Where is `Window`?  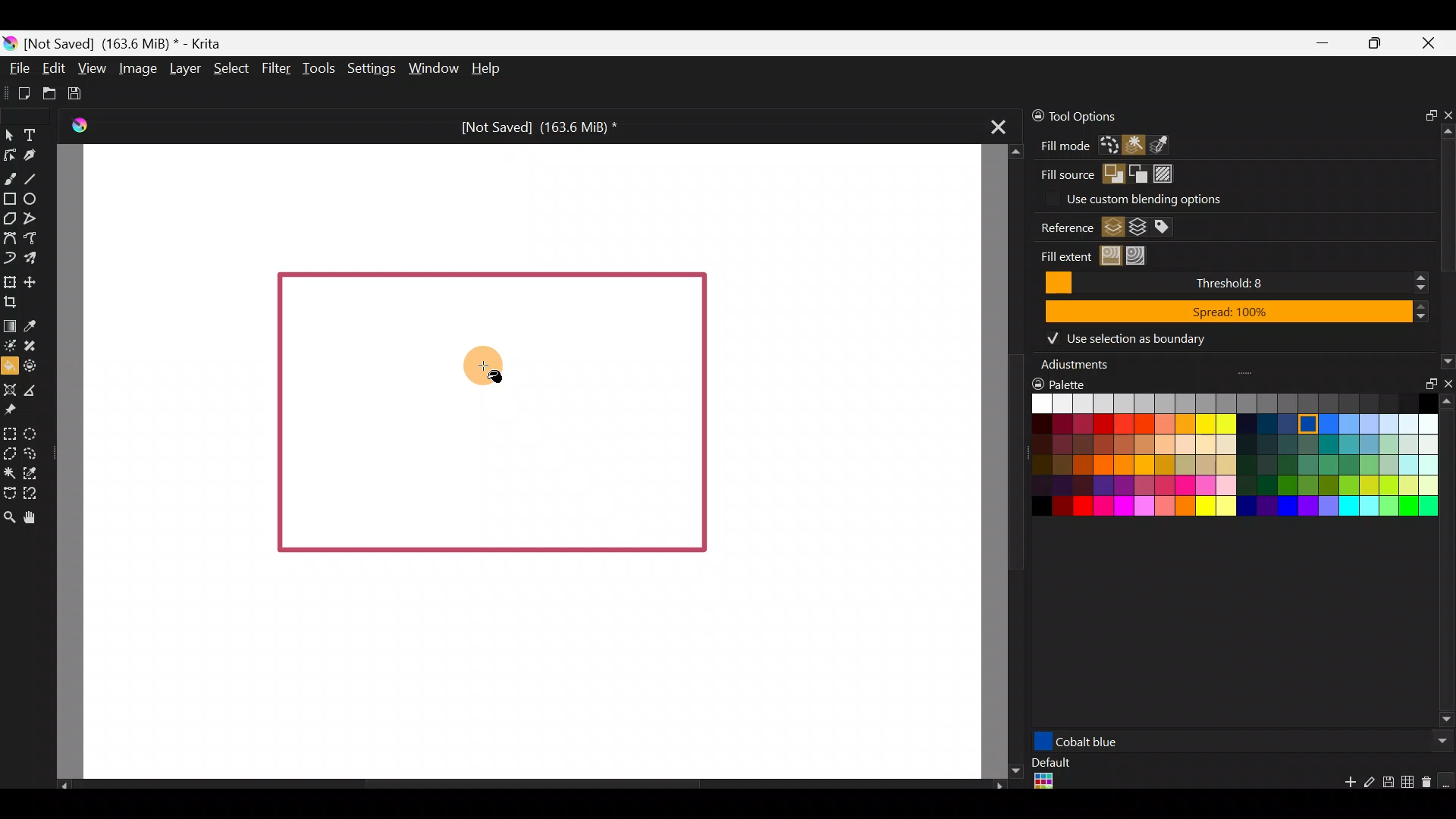 Window is located at coordinates (431, 67).